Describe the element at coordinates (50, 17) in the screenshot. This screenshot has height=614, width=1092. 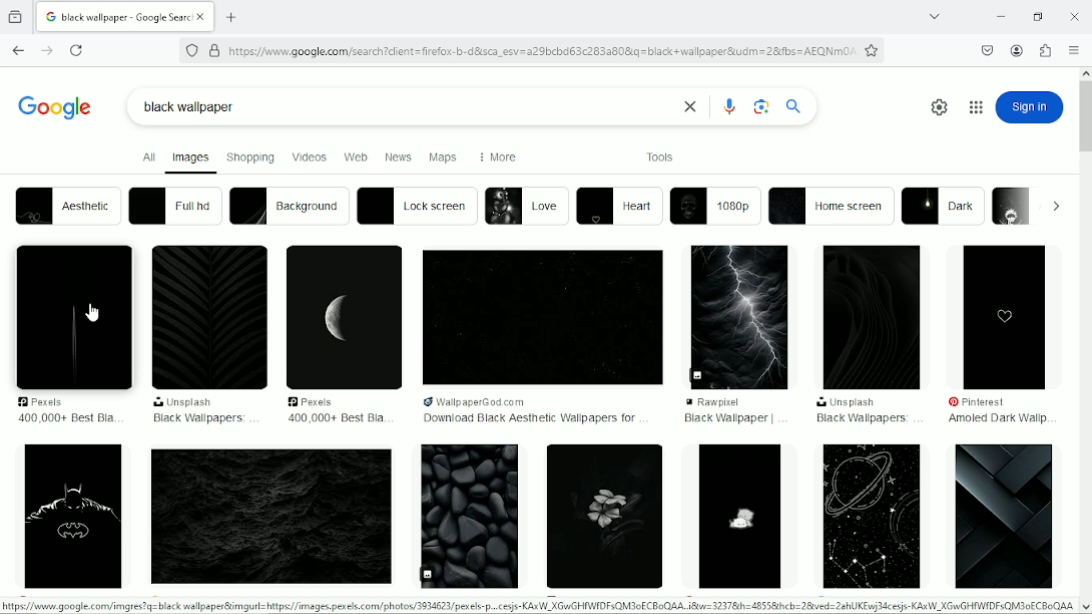
I see `google logo` at that location.